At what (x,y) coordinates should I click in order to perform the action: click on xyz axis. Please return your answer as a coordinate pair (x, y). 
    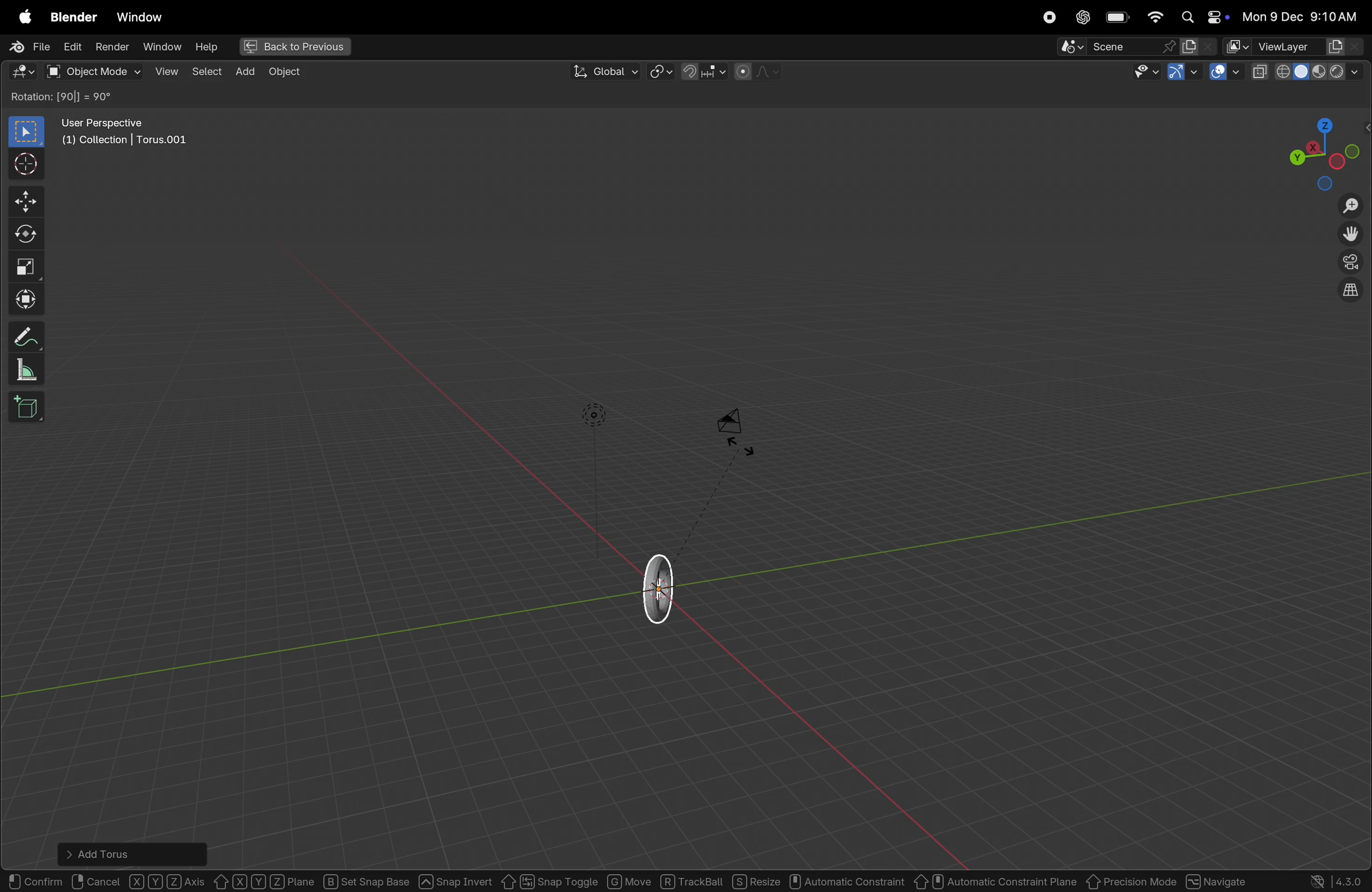
    Looking at the image, I should click on (168, 879).